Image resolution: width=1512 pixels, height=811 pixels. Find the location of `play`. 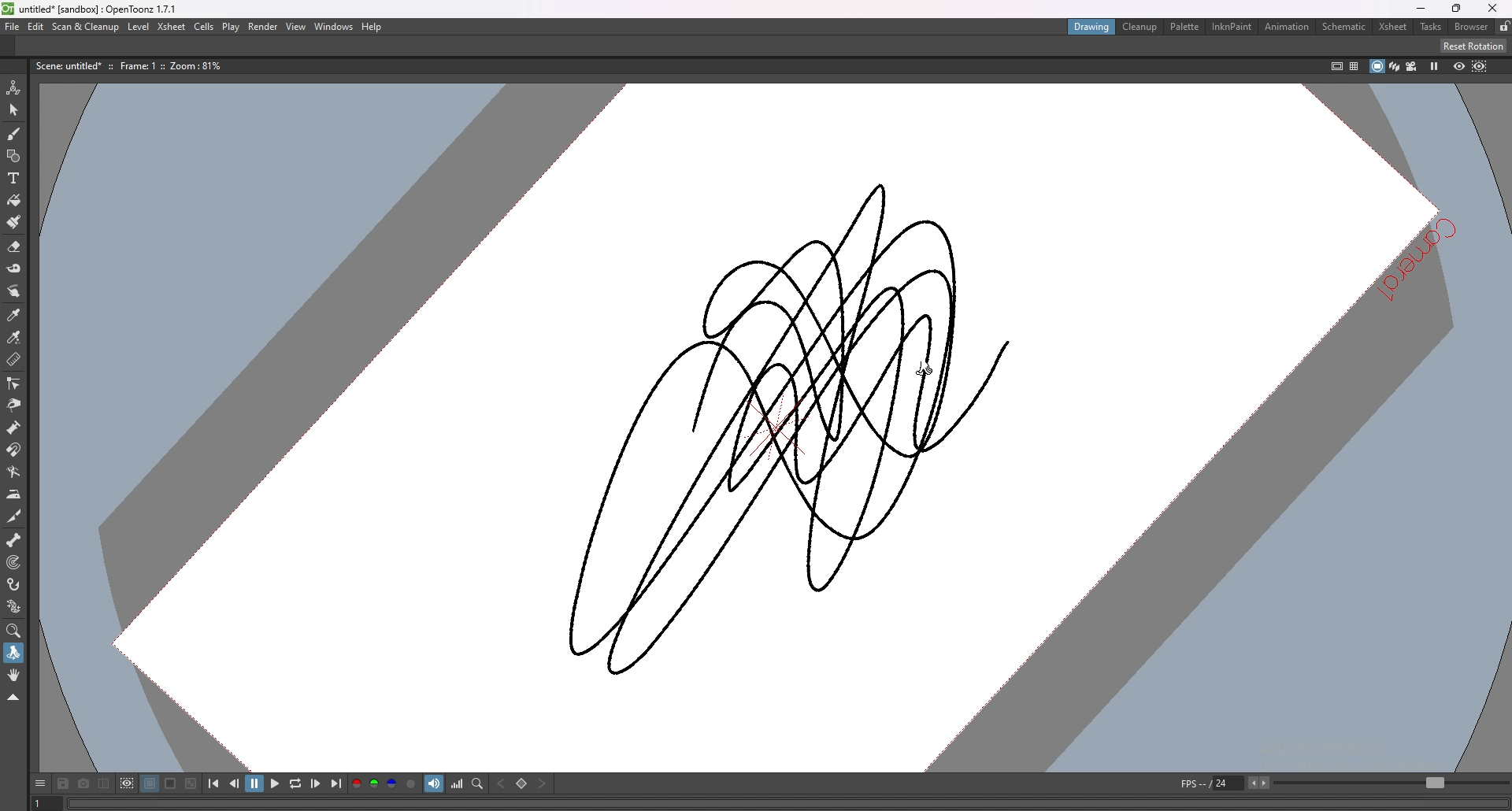

play is located at coordinates (232, 26).